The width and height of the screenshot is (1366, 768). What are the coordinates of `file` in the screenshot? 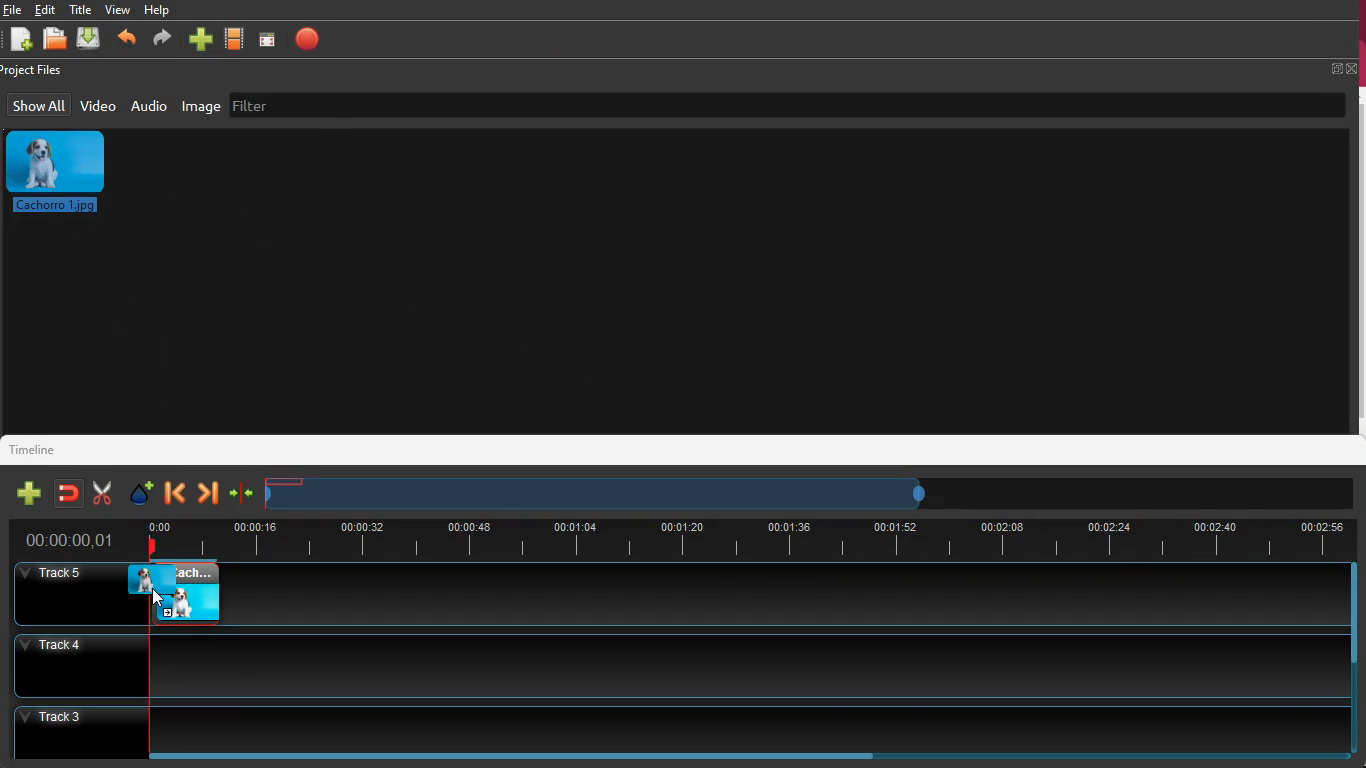 It's located at (12, 9).